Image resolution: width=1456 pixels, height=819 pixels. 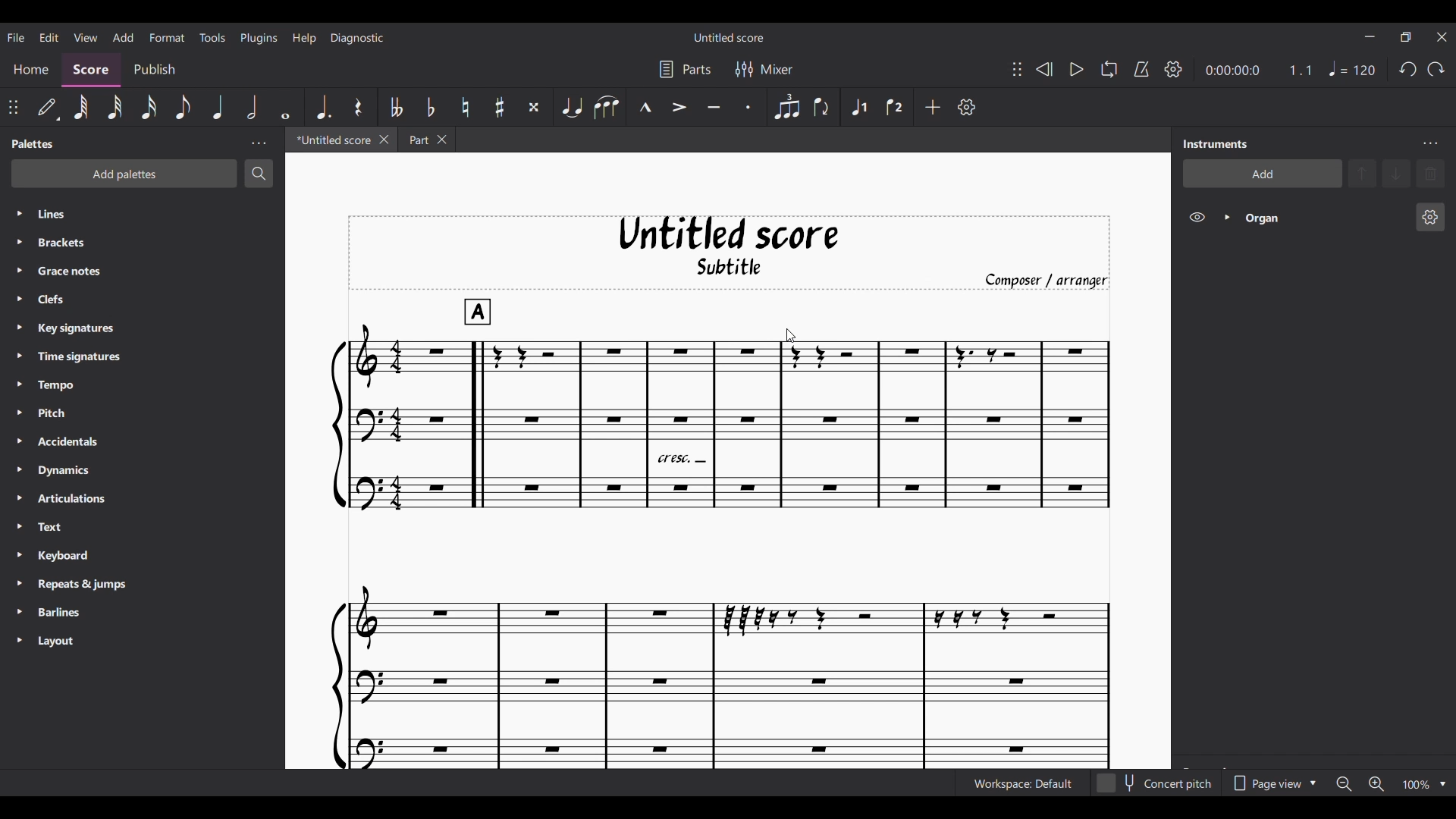 What do you see at coordinates (465, 108) in the screenshot?
I see `Toggle natural` at bounding box center [465, 108].